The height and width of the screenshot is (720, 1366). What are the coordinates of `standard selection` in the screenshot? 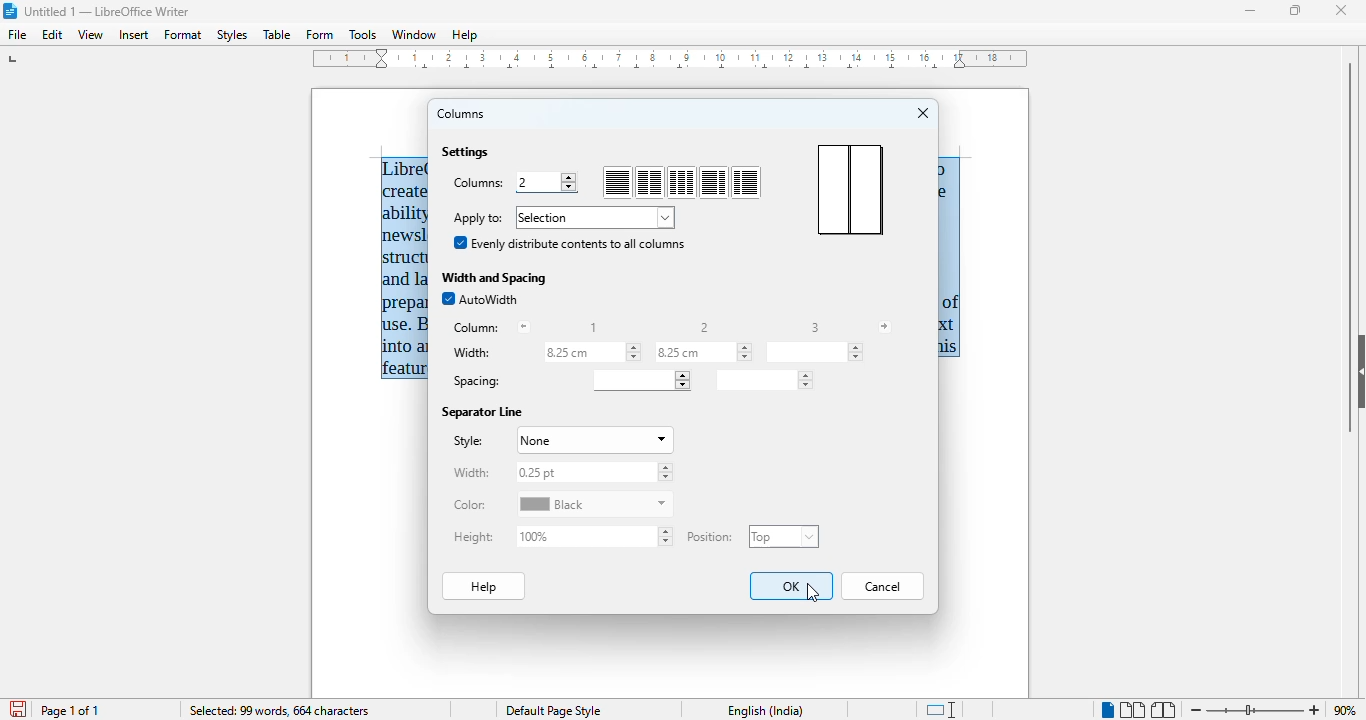 It's located at (943, 709).